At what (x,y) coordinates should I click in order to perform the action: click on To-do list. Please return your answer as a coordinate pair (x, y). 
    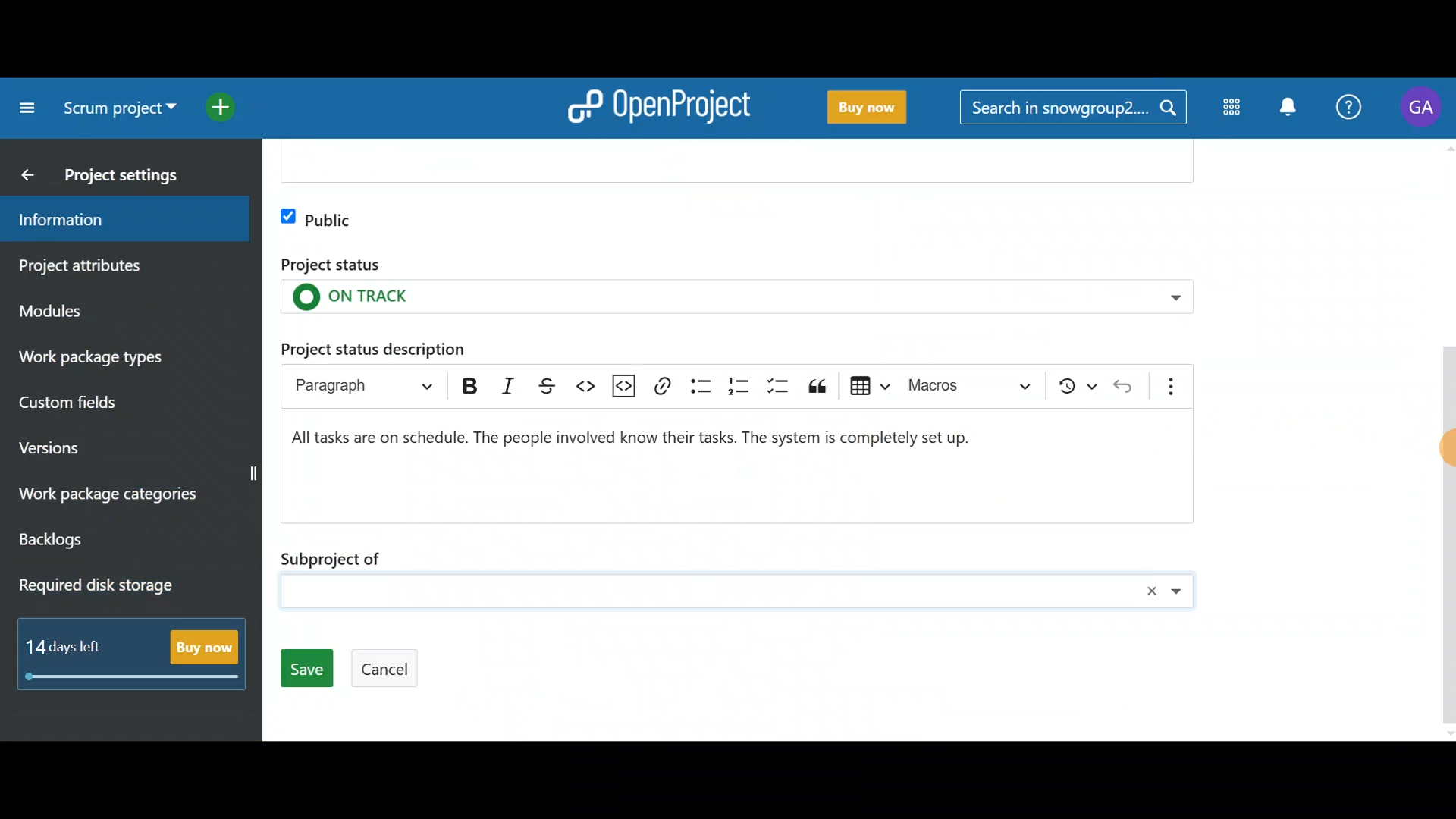
    Looking at the image, I should click on (781, 383).